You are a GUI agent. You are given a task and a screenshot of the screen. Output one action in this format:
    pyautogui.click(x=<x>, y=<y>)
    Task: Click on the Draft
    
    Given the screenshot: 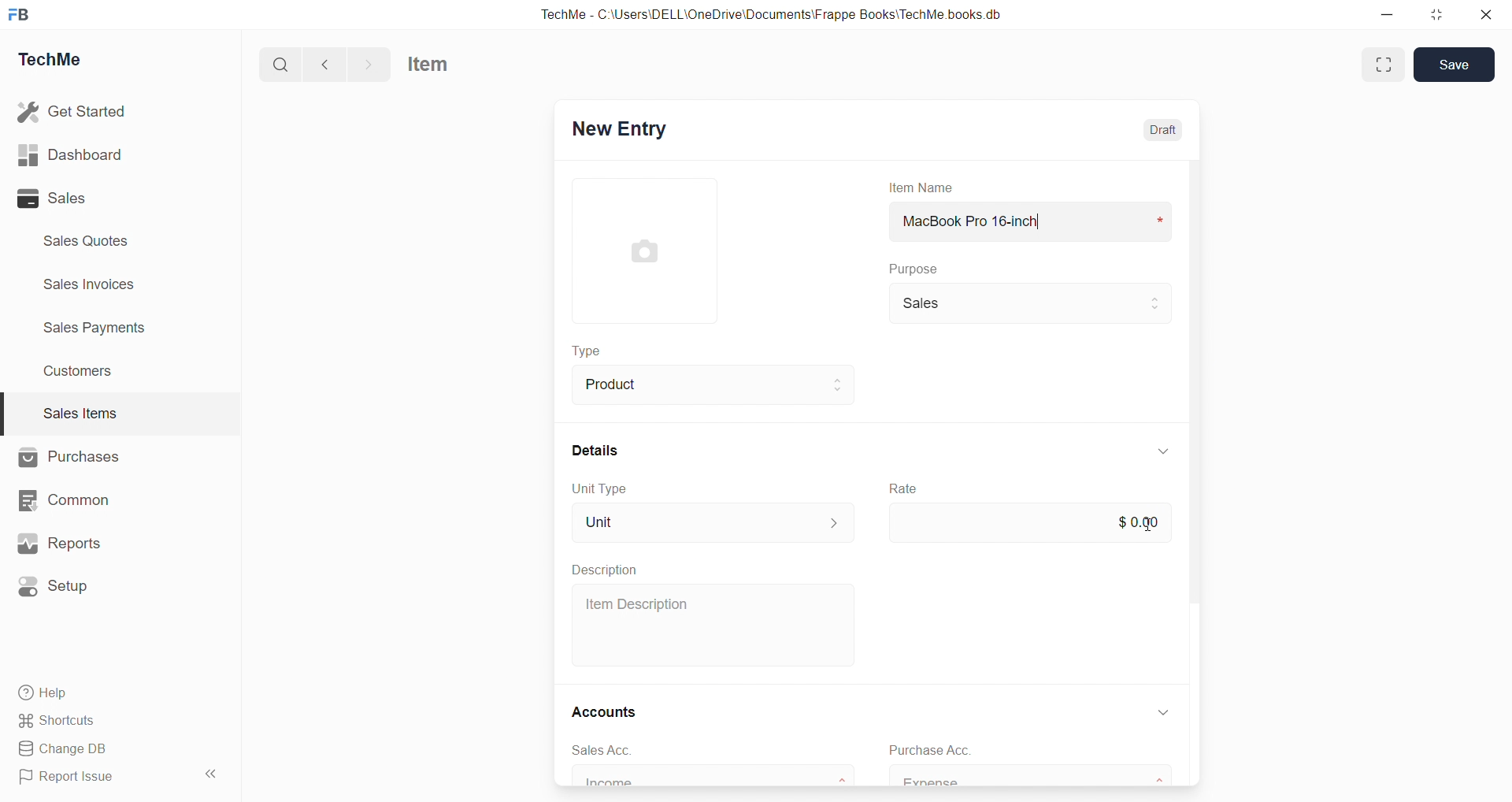 What is the action you would take?
    pyautogui.click(x=1164, y=129)
    